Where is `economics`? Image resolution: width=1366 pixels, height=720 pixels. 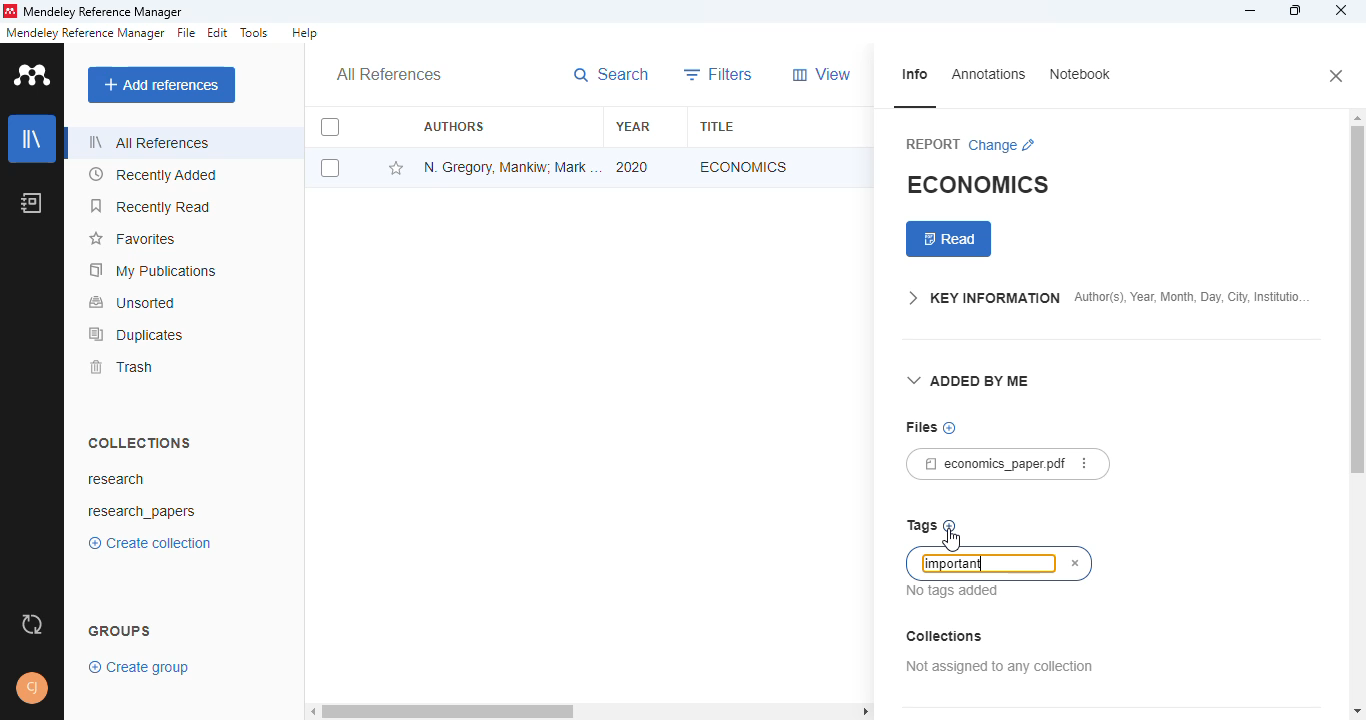
economics is located at coordinates (980, 183).